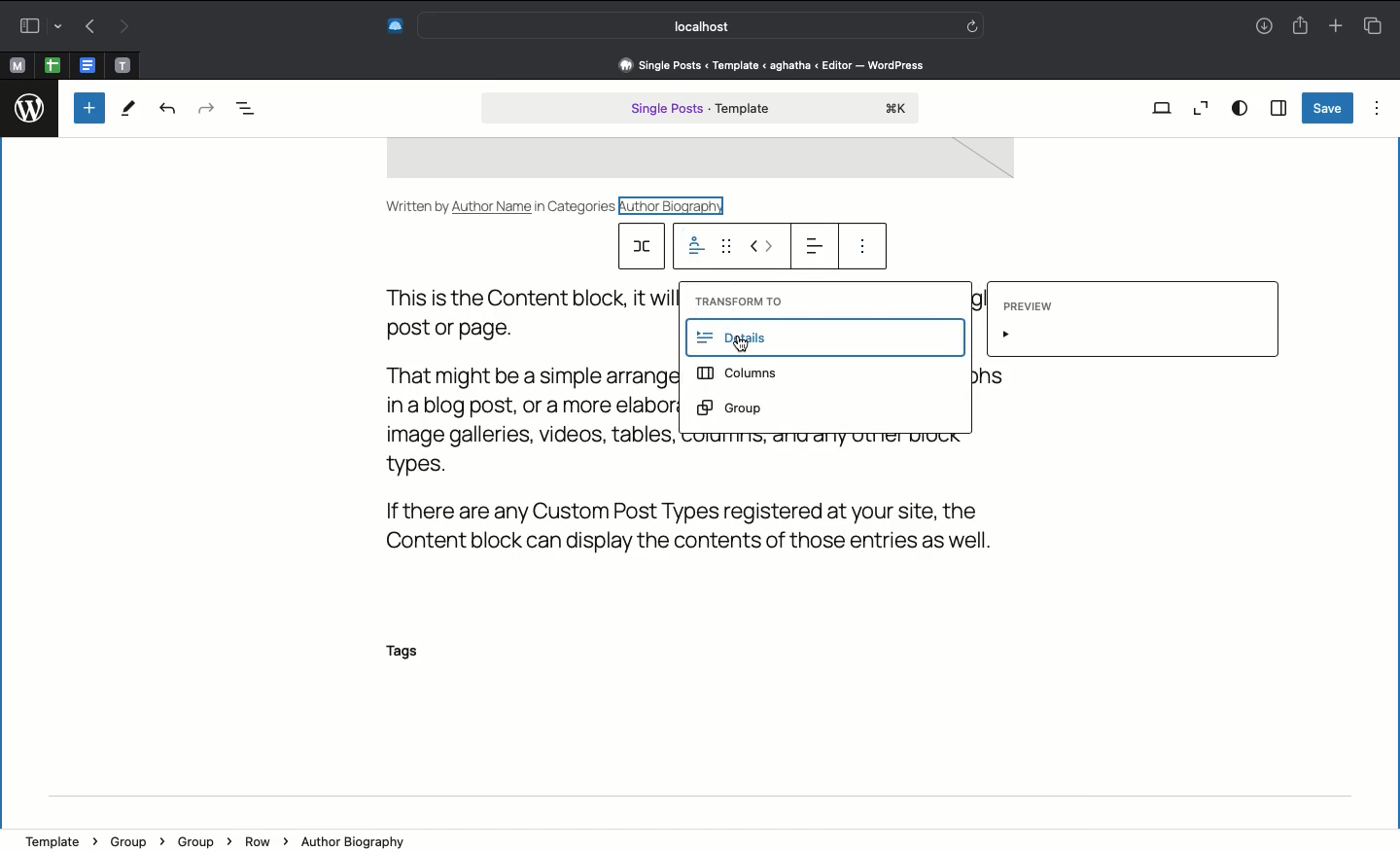 The width and height of the screenshot is (1400, 852). I want to click on drag, so click(730, 247).